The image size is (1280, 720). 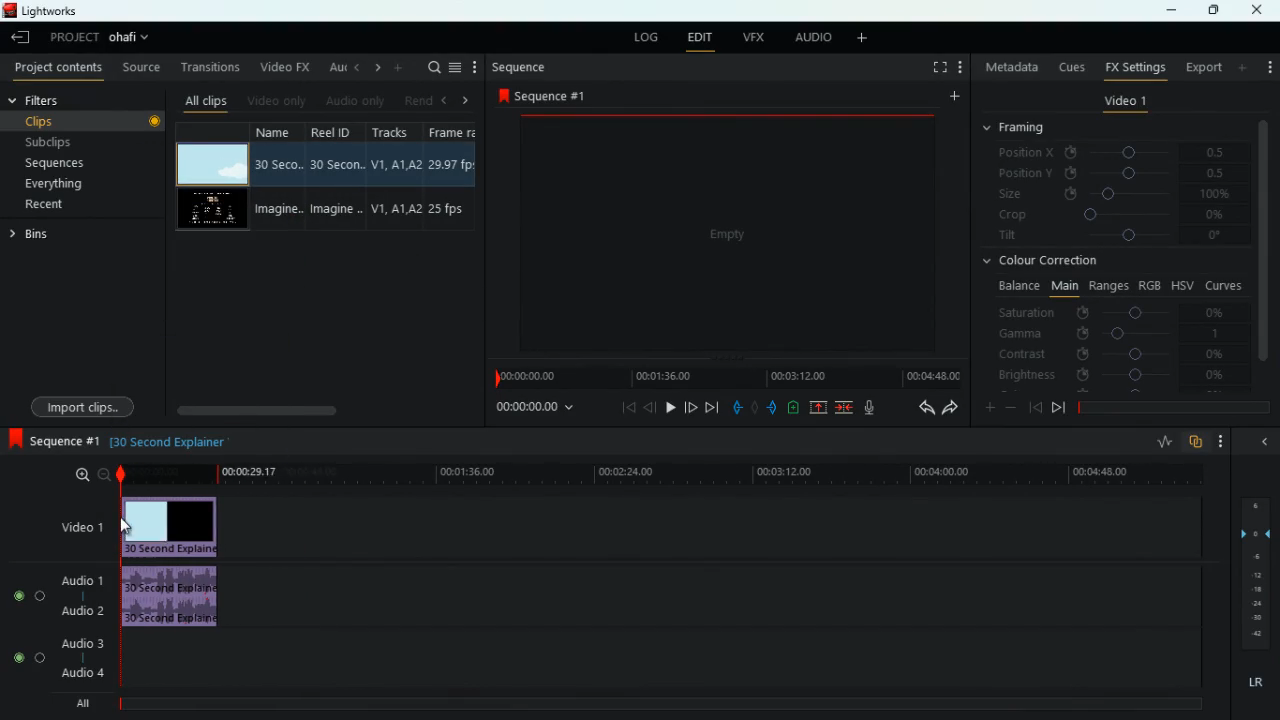 I want to click on Imagine.., so click(x=280, y=210).